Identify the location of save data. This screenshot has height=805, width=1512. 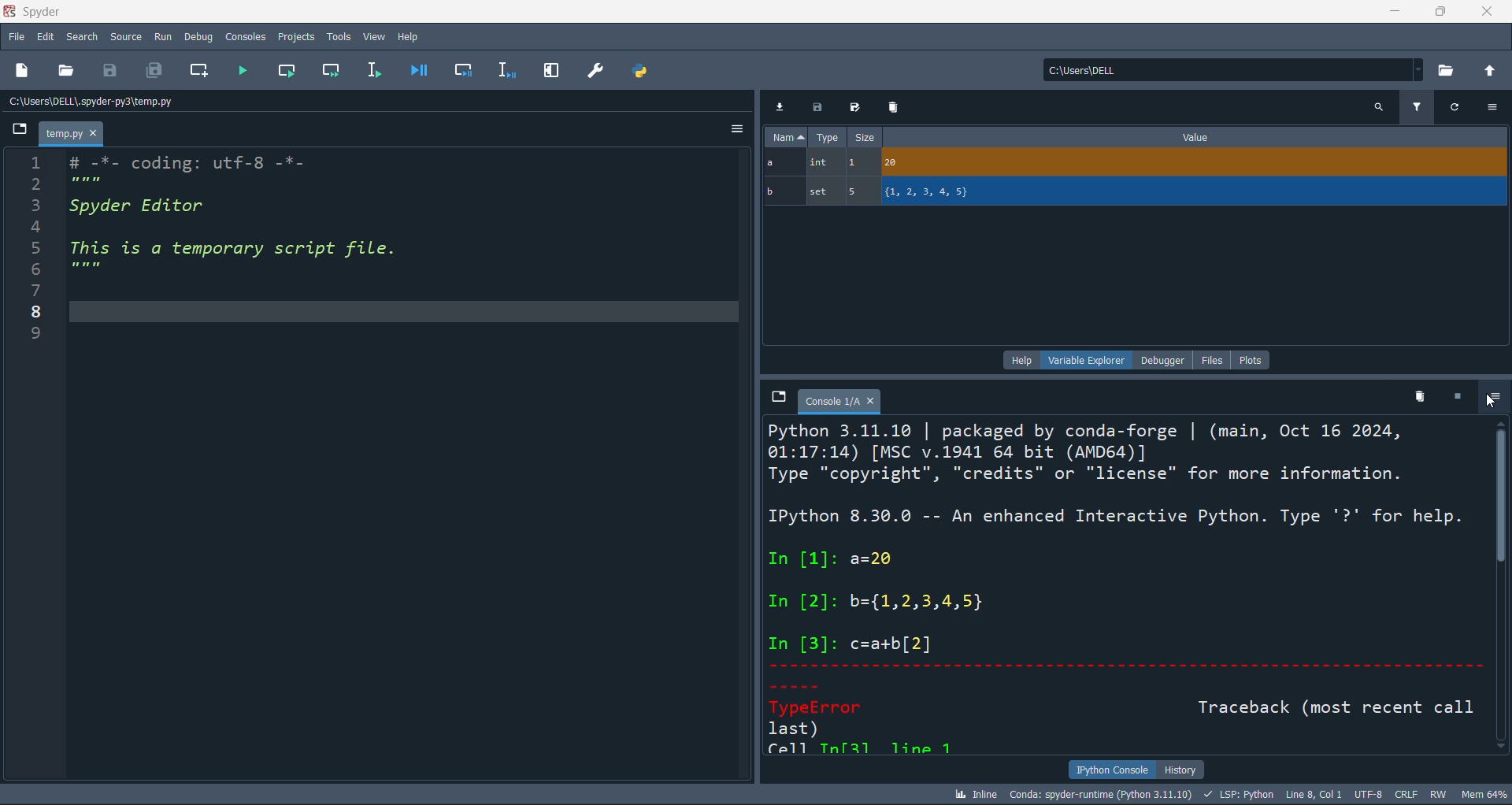
(815, 108).